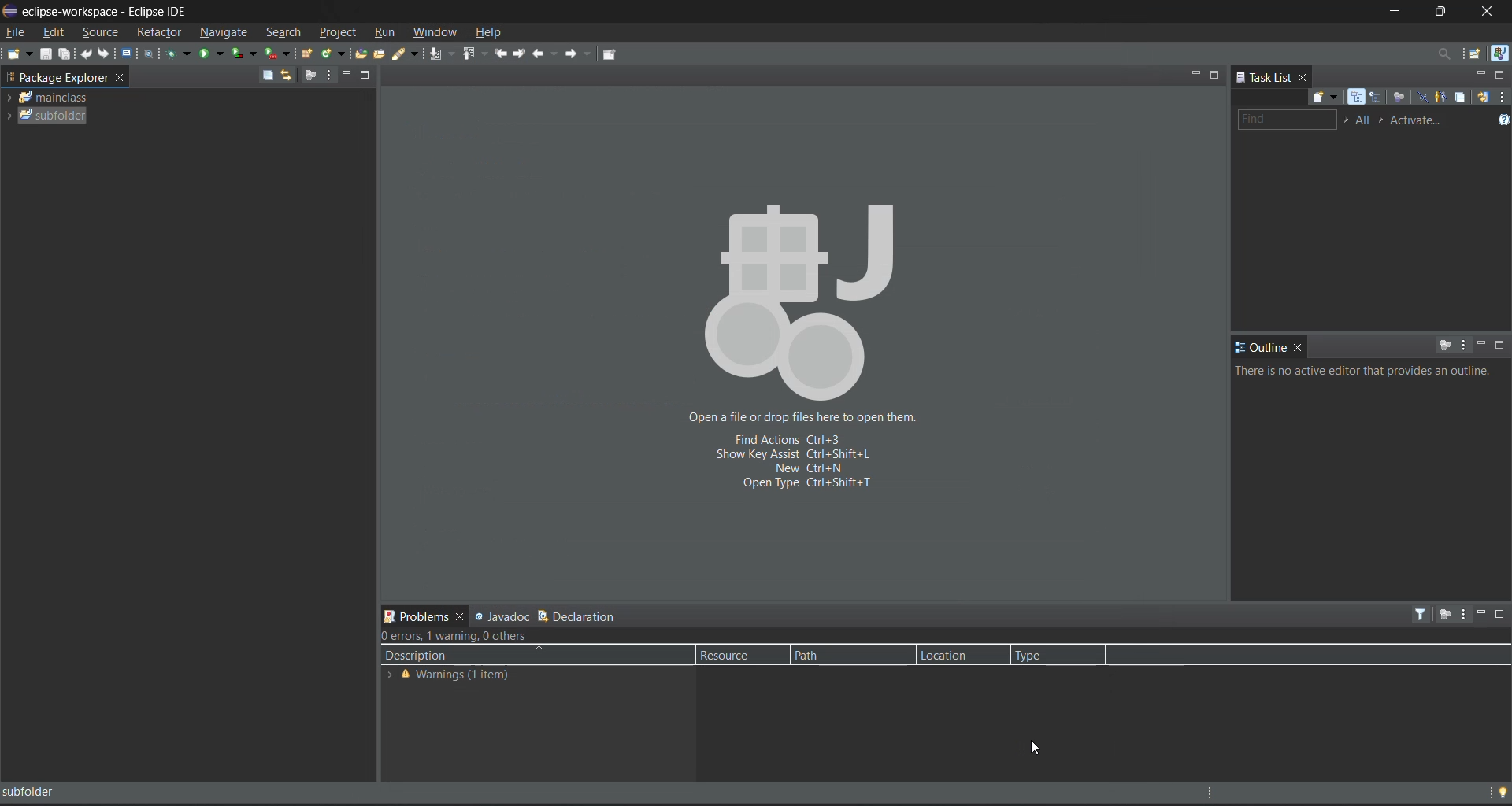 This screenshot has width=1512, height=806. What do you see at coordinates (1216, 73) in the screenshot?
I see `maximize` at bounding box center [1216, 73].